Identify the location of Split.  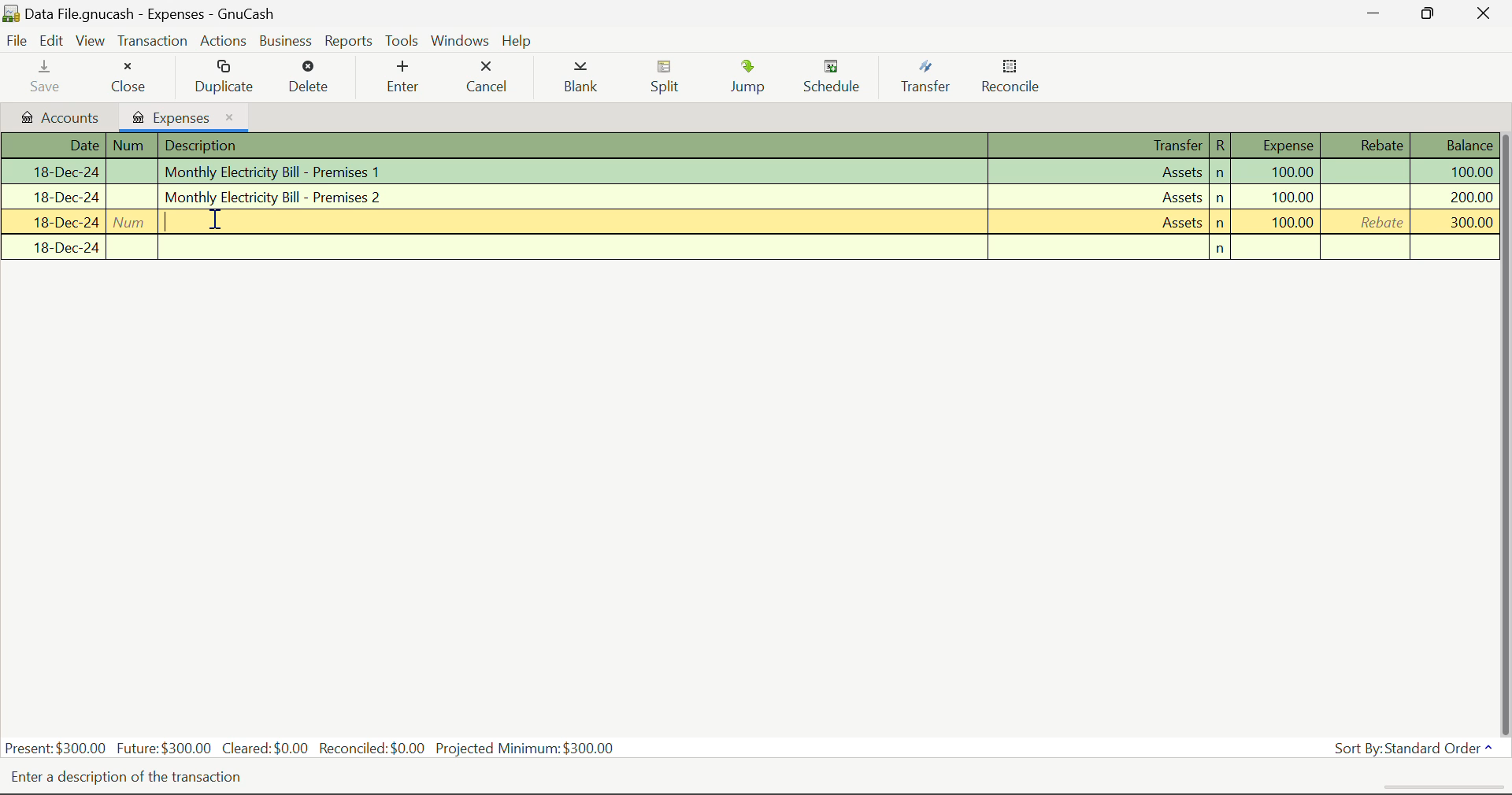
(673, 79).